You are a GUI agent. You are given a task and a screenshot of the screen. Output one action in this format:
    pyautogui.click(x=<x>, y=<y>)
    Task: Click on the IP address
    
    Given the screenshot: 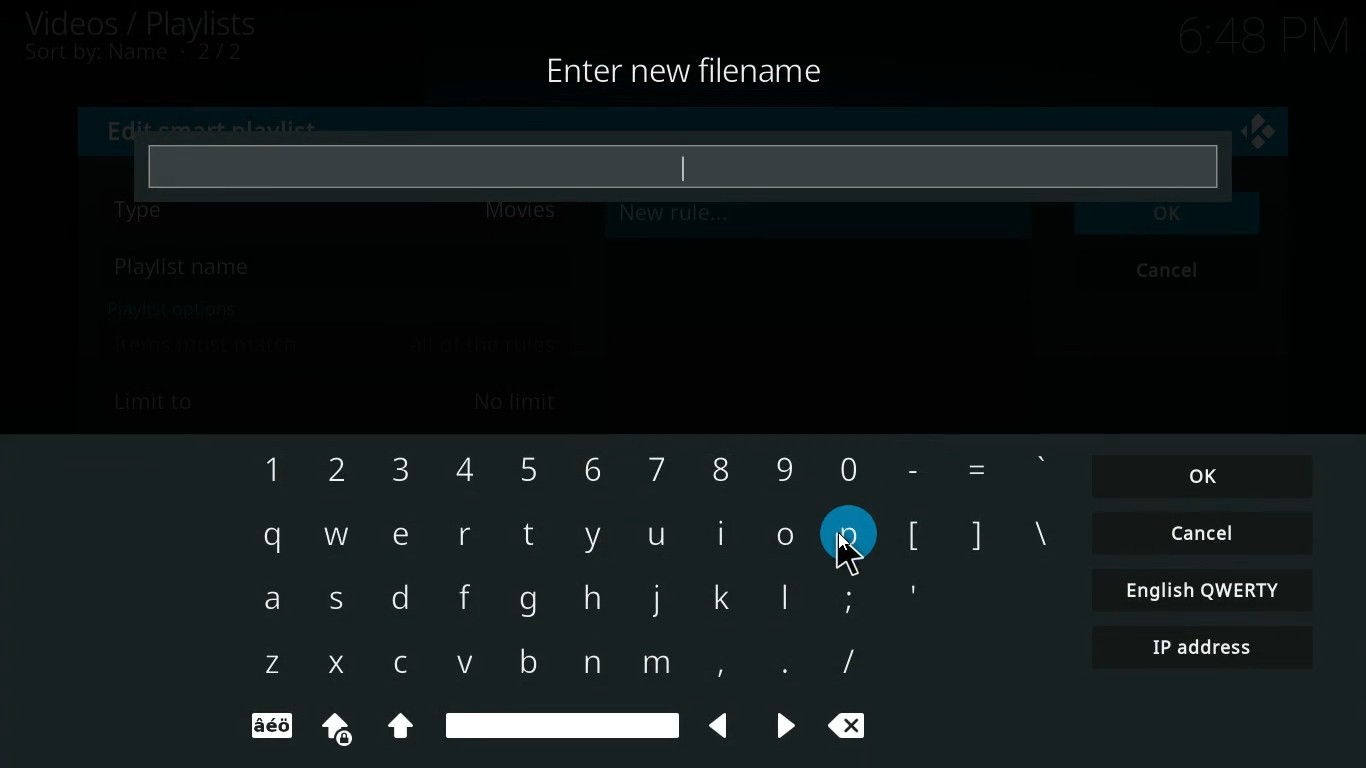 What is the action you would take?
    pyautogui.click(x=1204, y=650)
    